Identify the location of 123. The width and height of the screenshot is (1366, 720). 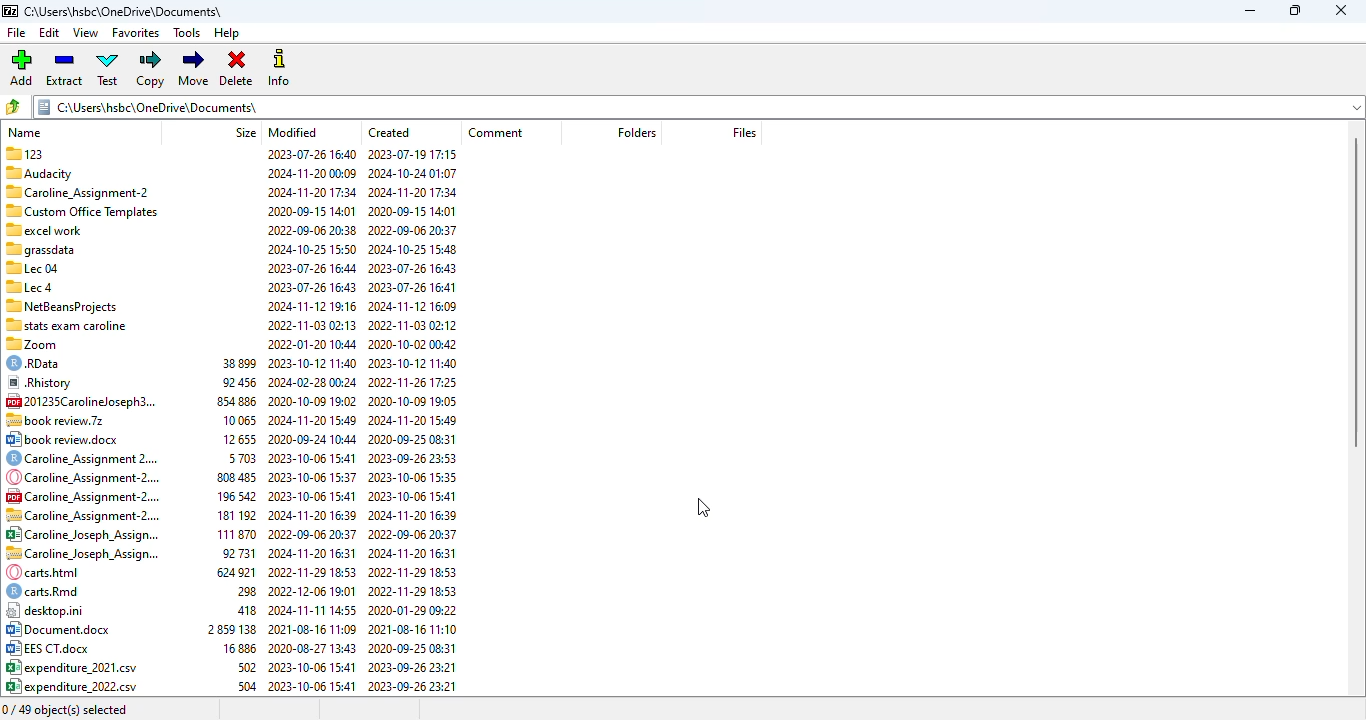
(234, 153).